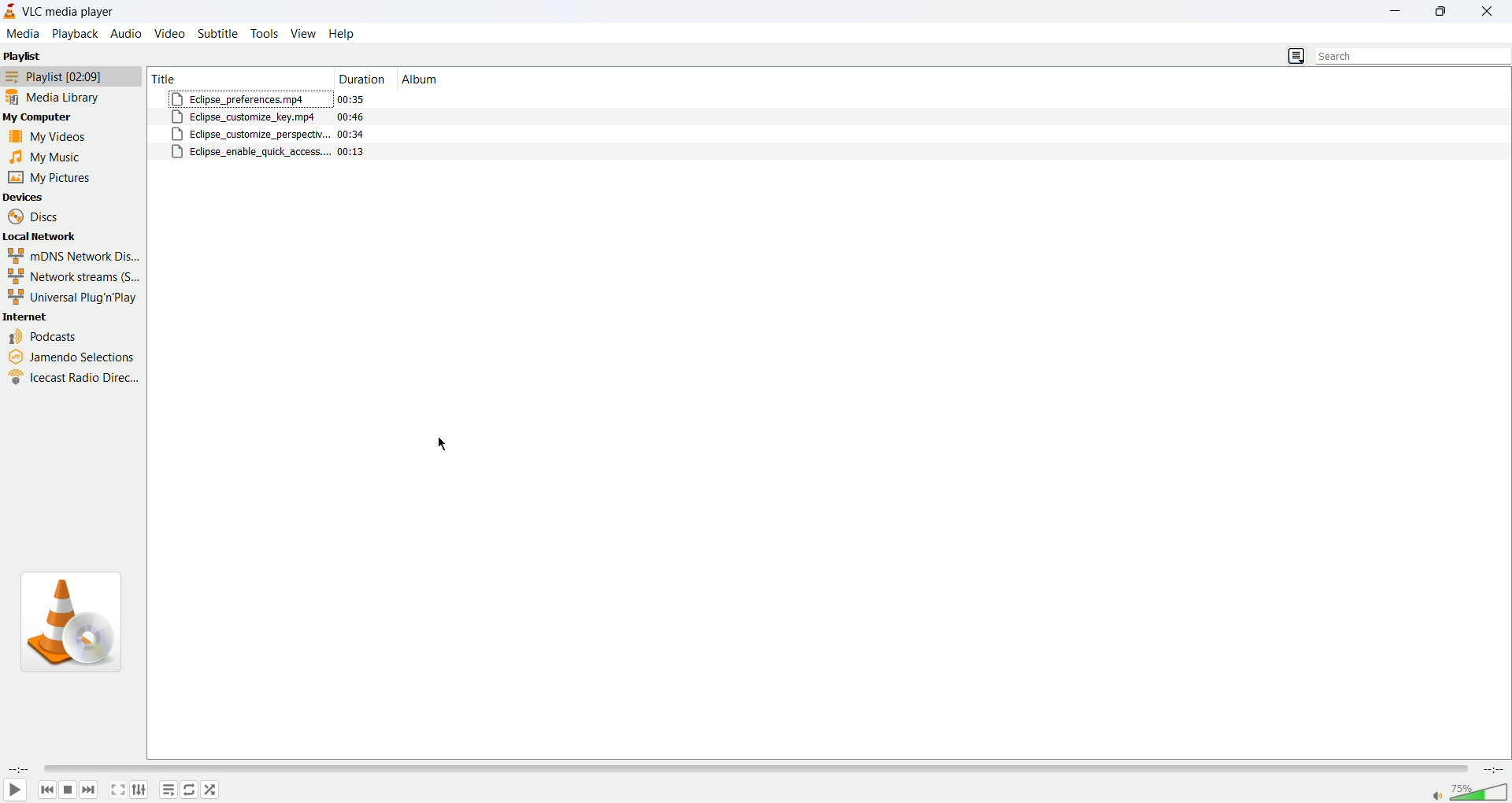 The image size is (1512, 803). I want to click on cursor, so click(443, 444).